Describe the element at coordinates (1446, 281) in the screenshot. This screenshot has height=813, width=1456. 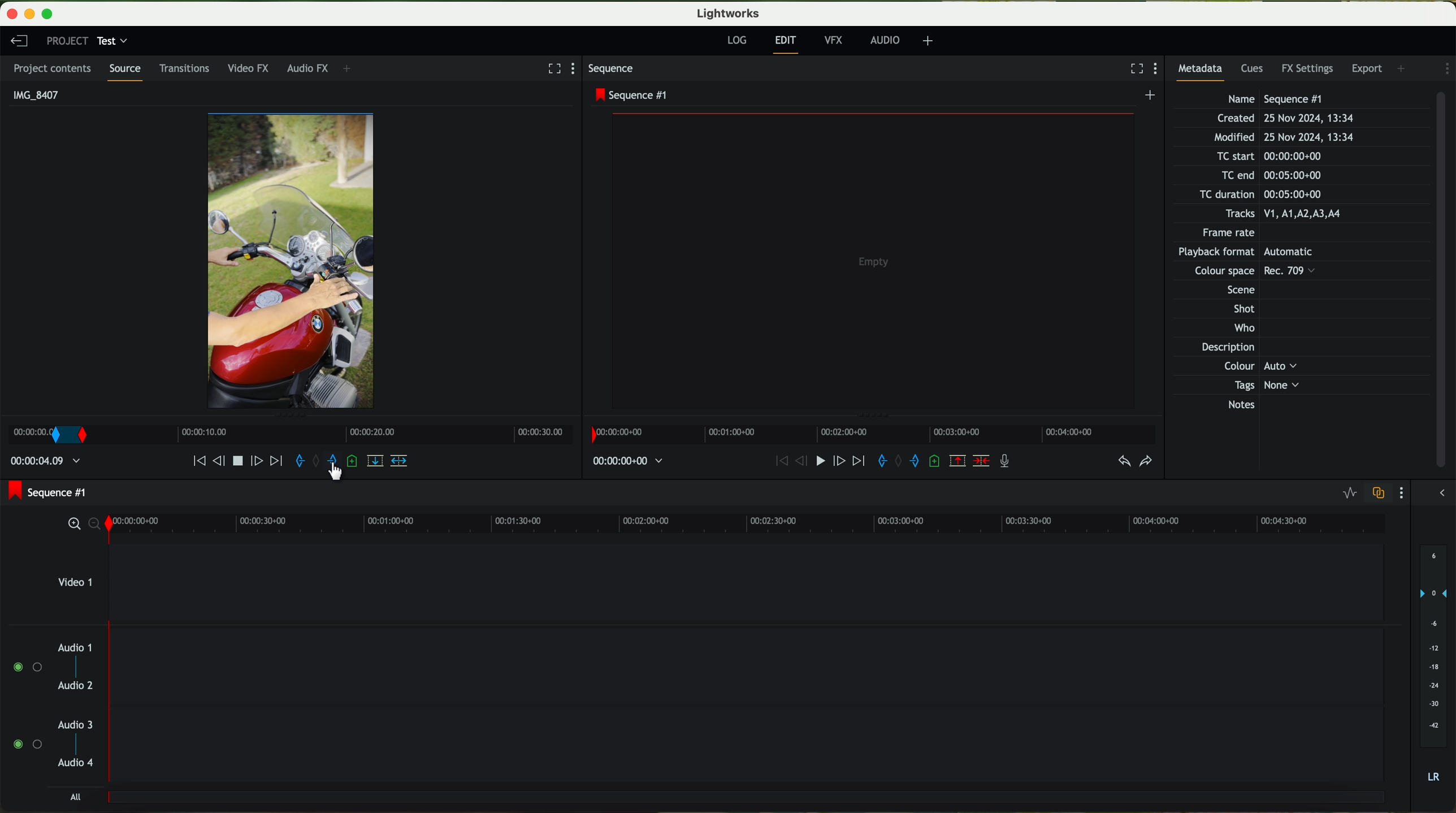
I see `scroll bar` at that location.